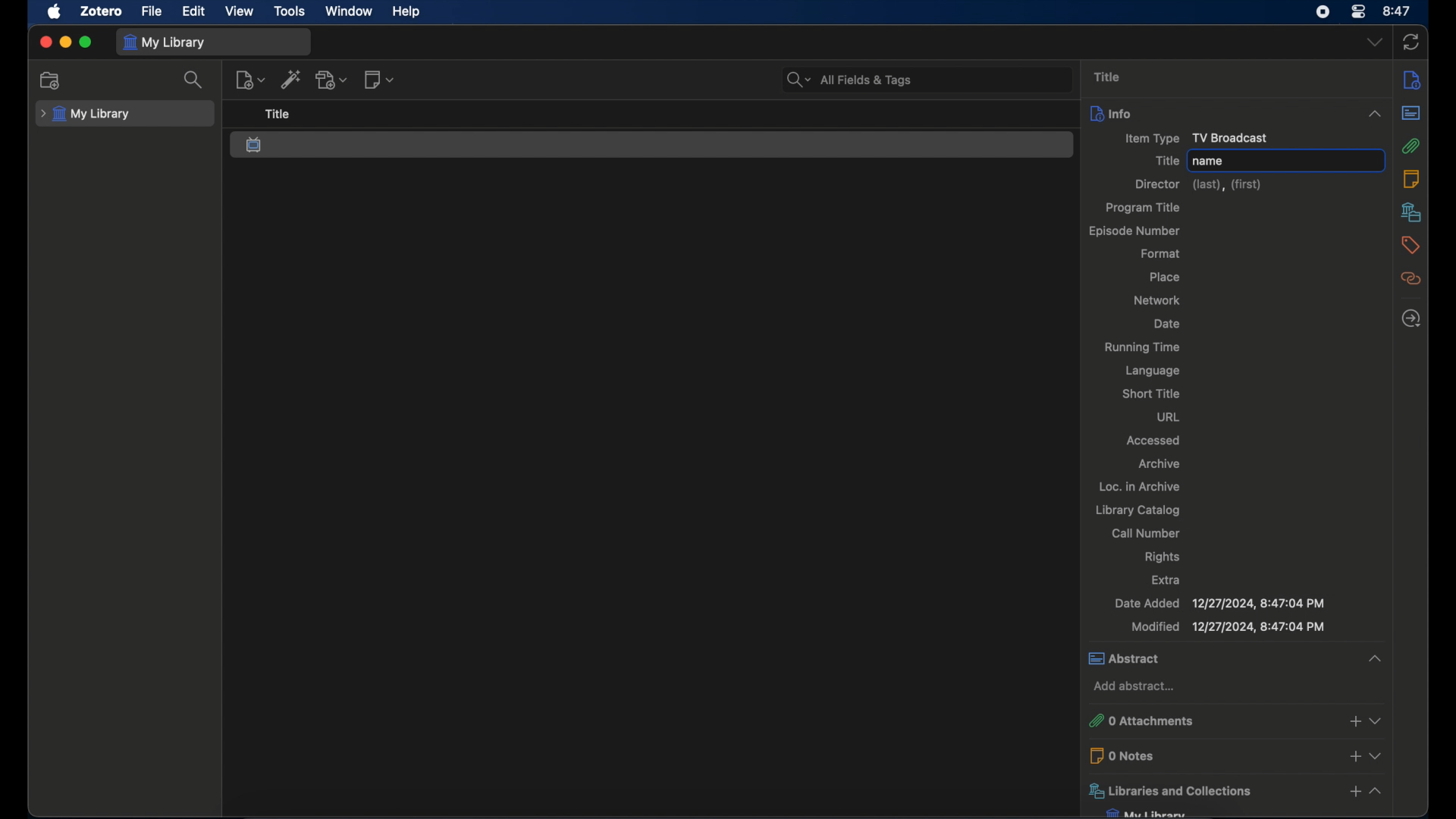  What do you see at coordinates (1164, 160) in the screenshot?
I see `title` at bounding box center [1164, 160].